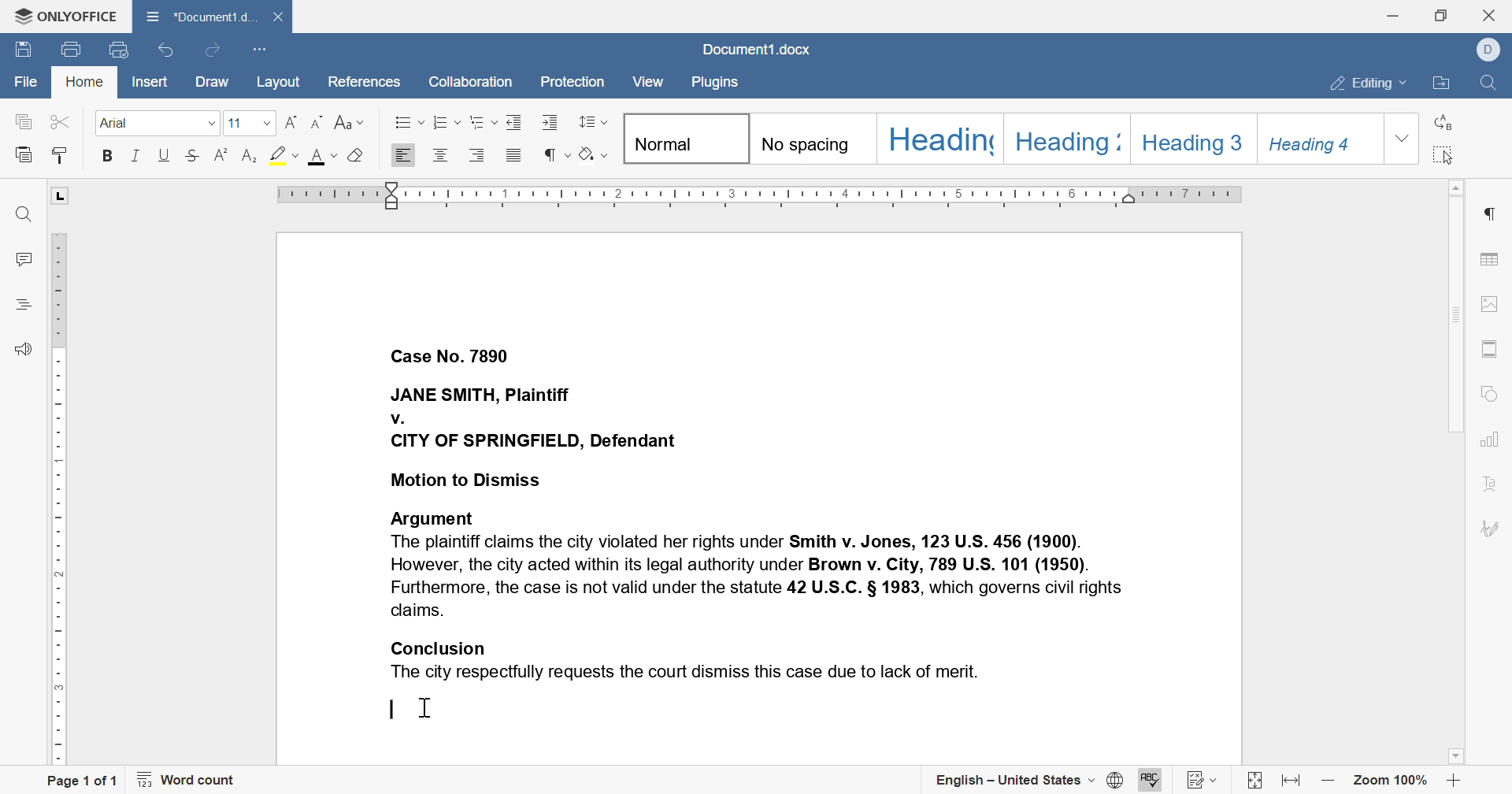 This screenshot has height=794, width=1512. What do you see at coordinates (73, 47) in the screenshot?
I see `quick print` at bounding box center [73, 47].